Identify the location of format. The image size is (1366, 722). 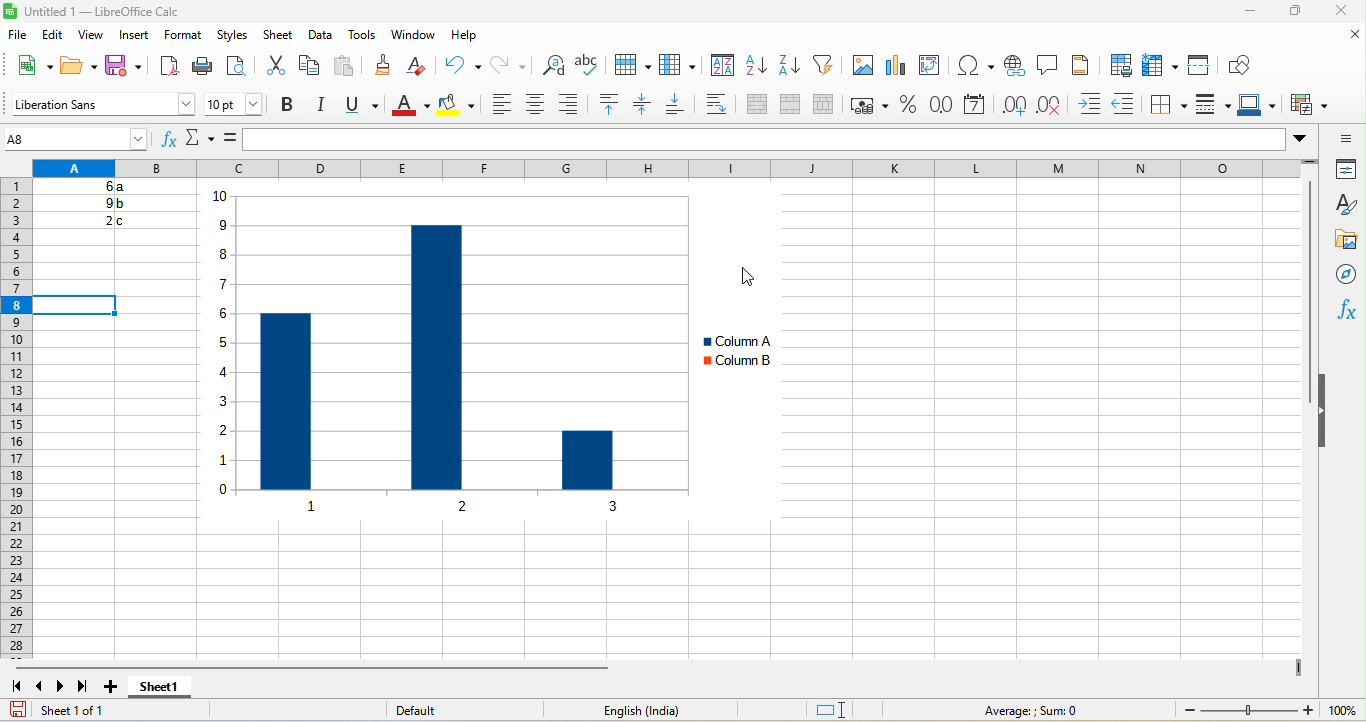
(182, 36).